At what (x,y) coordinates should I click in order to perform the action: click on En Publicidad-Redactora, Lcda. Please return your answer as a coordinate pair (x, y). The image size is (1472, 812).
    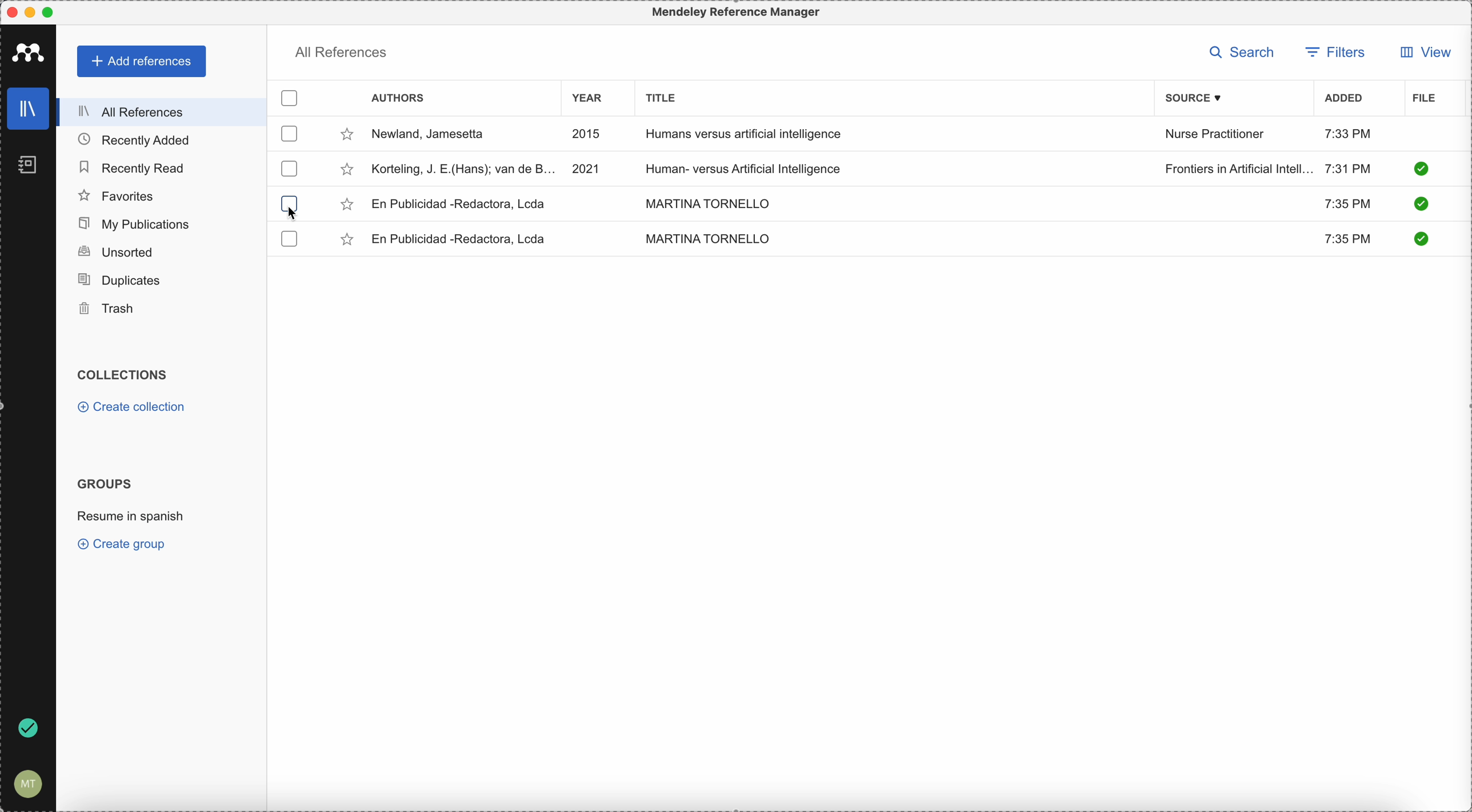
    Looking at the image, I should click on (459, 204).